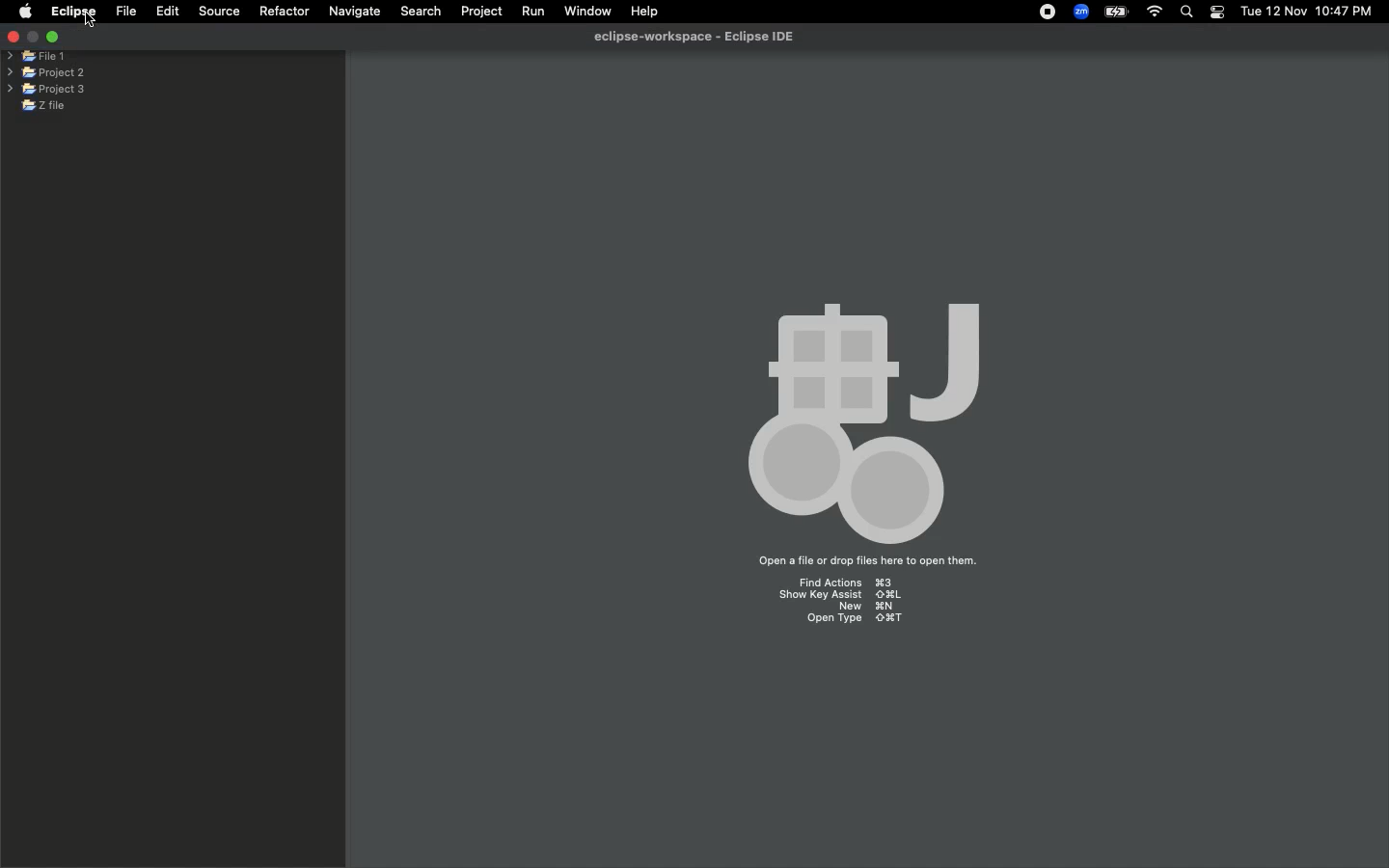 This screenshot has width=1389, height=868. What do you see at coordinates (1305, 10) in the screenshot?
I see `tue 12 nov 10:47 pm ` at bounding box center [1305, 10].